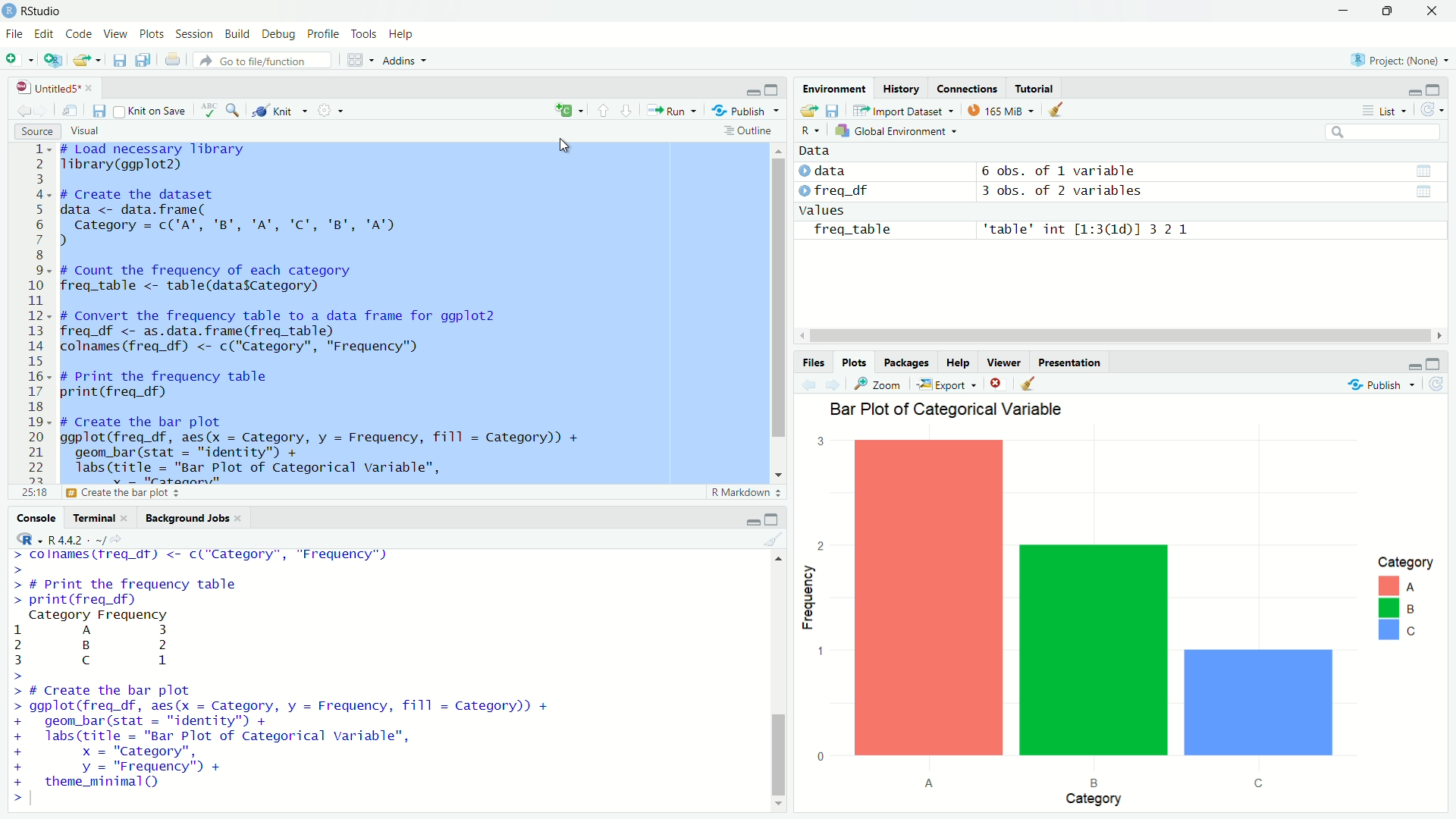 The width and height of the screenshot is (1456, 819). What do you see at coordinates (752, 522) in the screenshot?
I see `minimize` at bounding box center [752, 522].